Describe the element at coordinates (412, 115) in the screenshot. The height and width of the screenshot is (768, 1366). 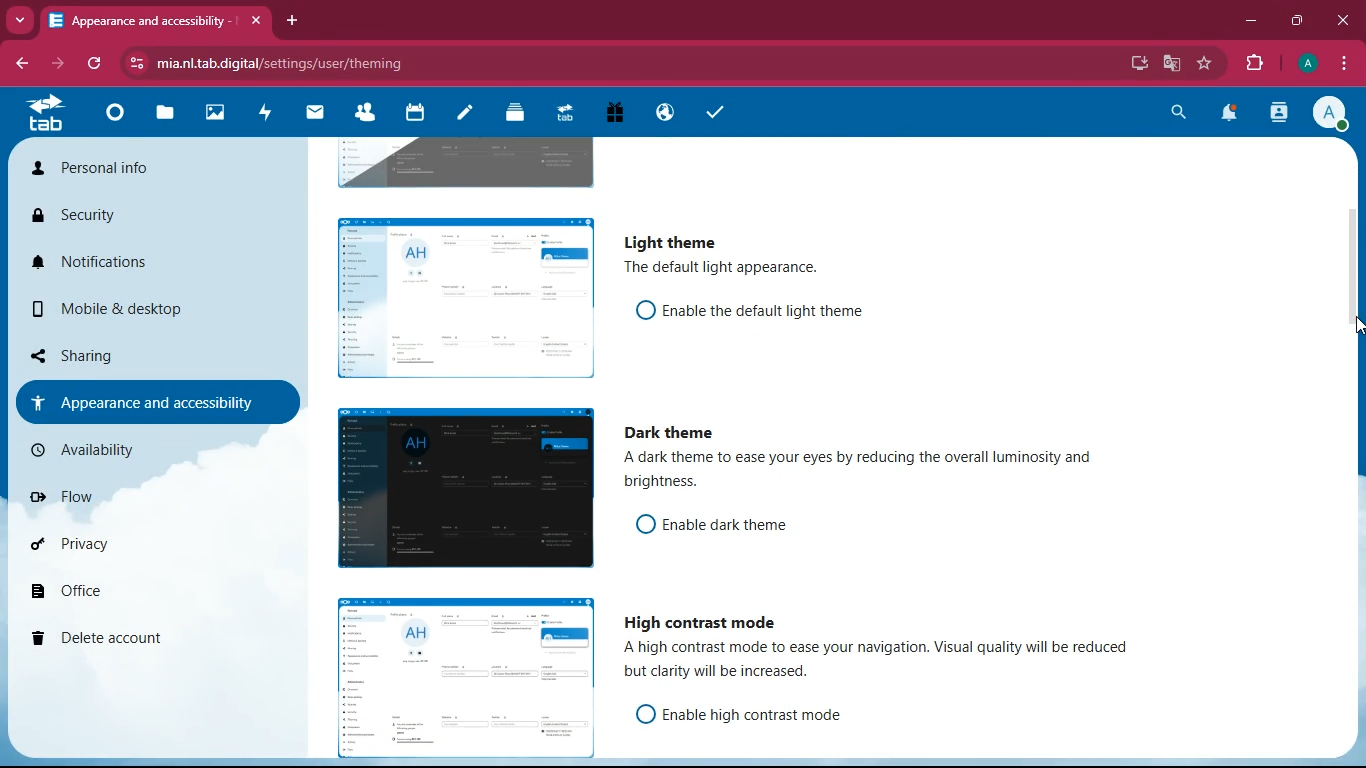
I see `calendar` at that location.